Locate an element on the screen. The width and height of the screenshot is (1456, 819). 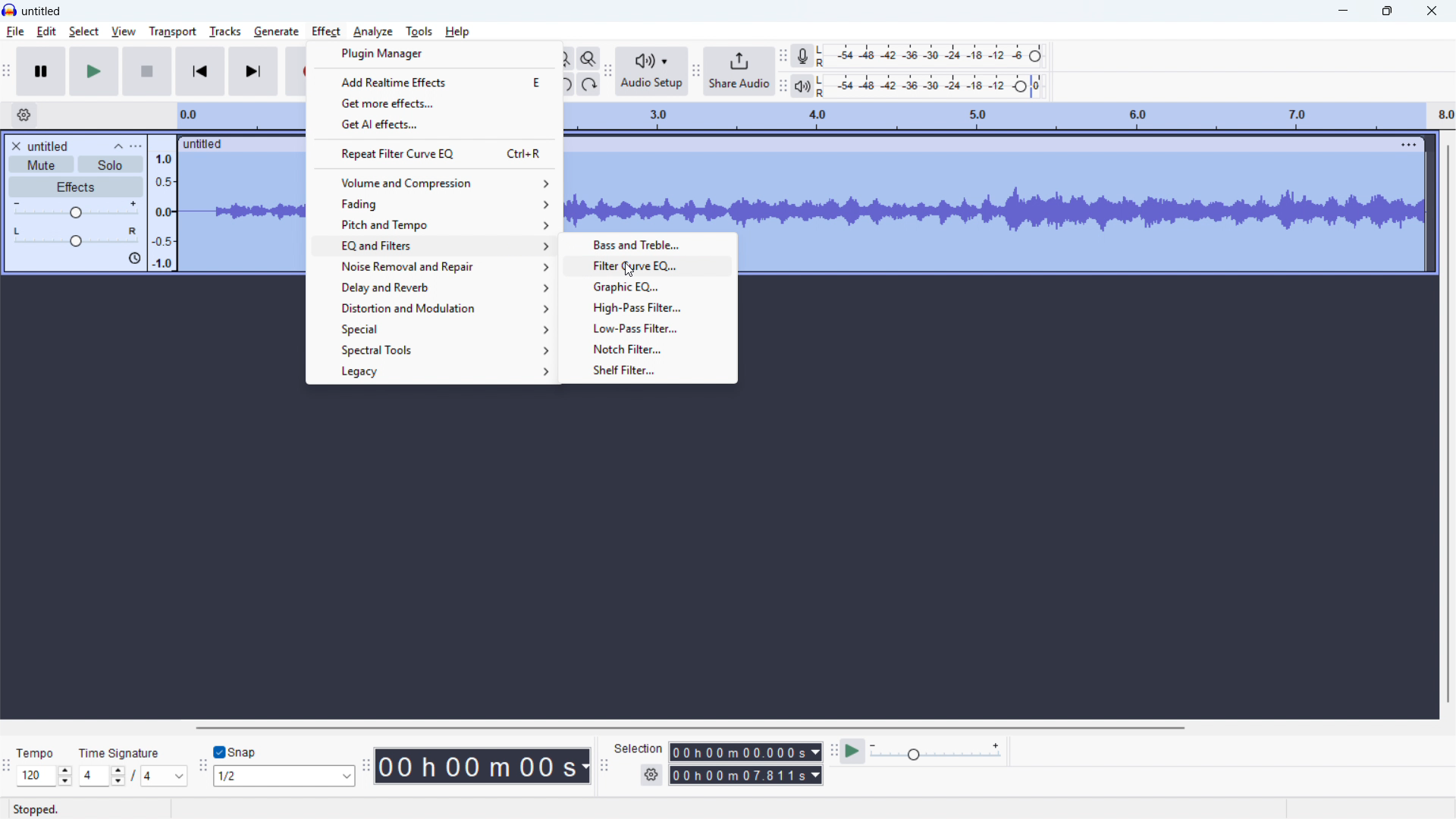
view is located at coordinates (124, 31).